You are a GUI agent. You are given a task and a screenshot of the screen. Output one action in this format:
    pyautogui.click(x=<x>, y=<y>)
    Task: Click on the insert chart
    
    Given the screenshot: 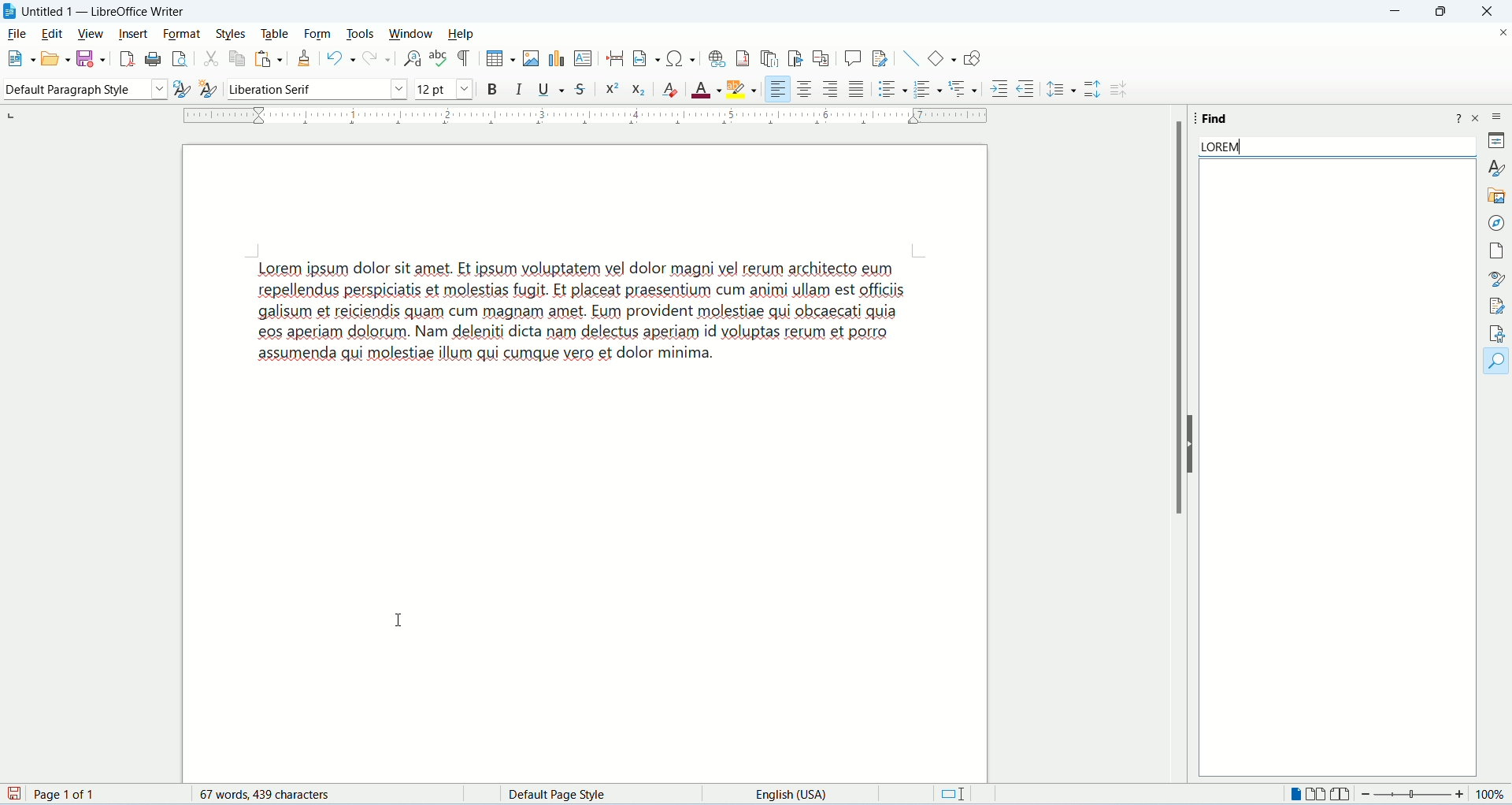 What is the action you would take?
    pyautogui.click(x=556, y=58)
    